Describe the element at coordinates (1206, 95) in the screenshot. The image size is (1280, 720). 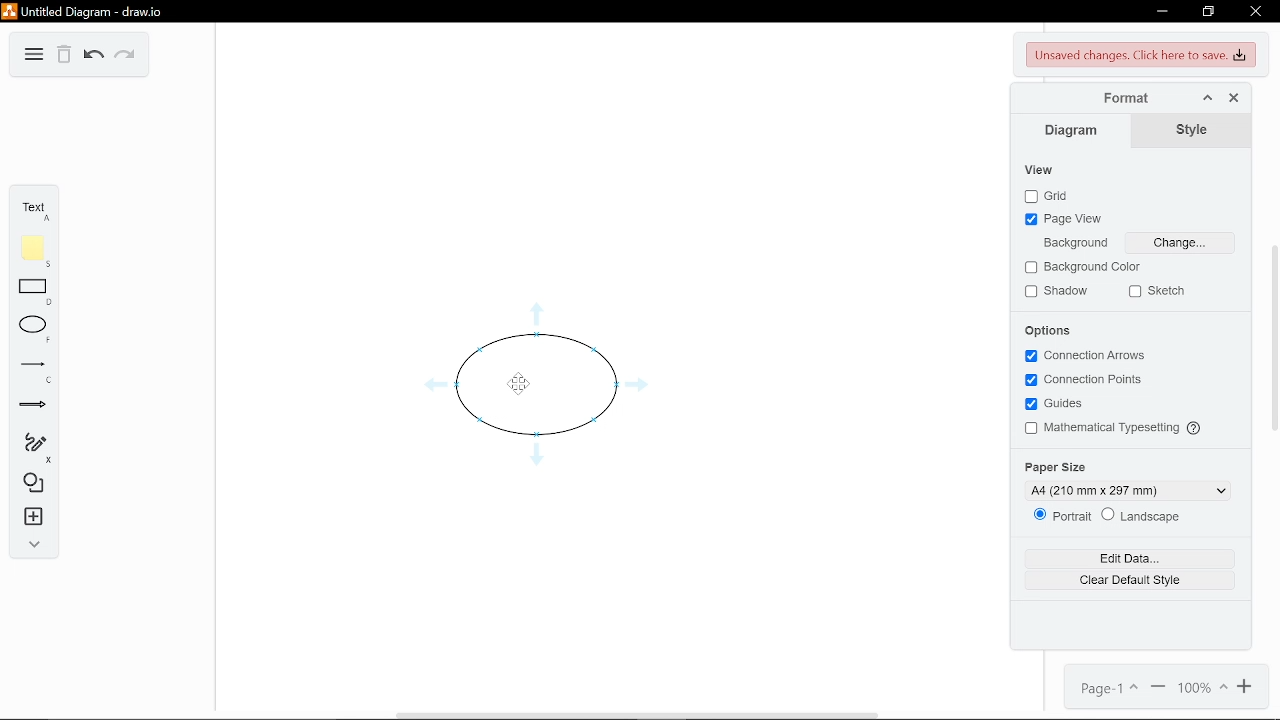
I see `Collapse` at that location.